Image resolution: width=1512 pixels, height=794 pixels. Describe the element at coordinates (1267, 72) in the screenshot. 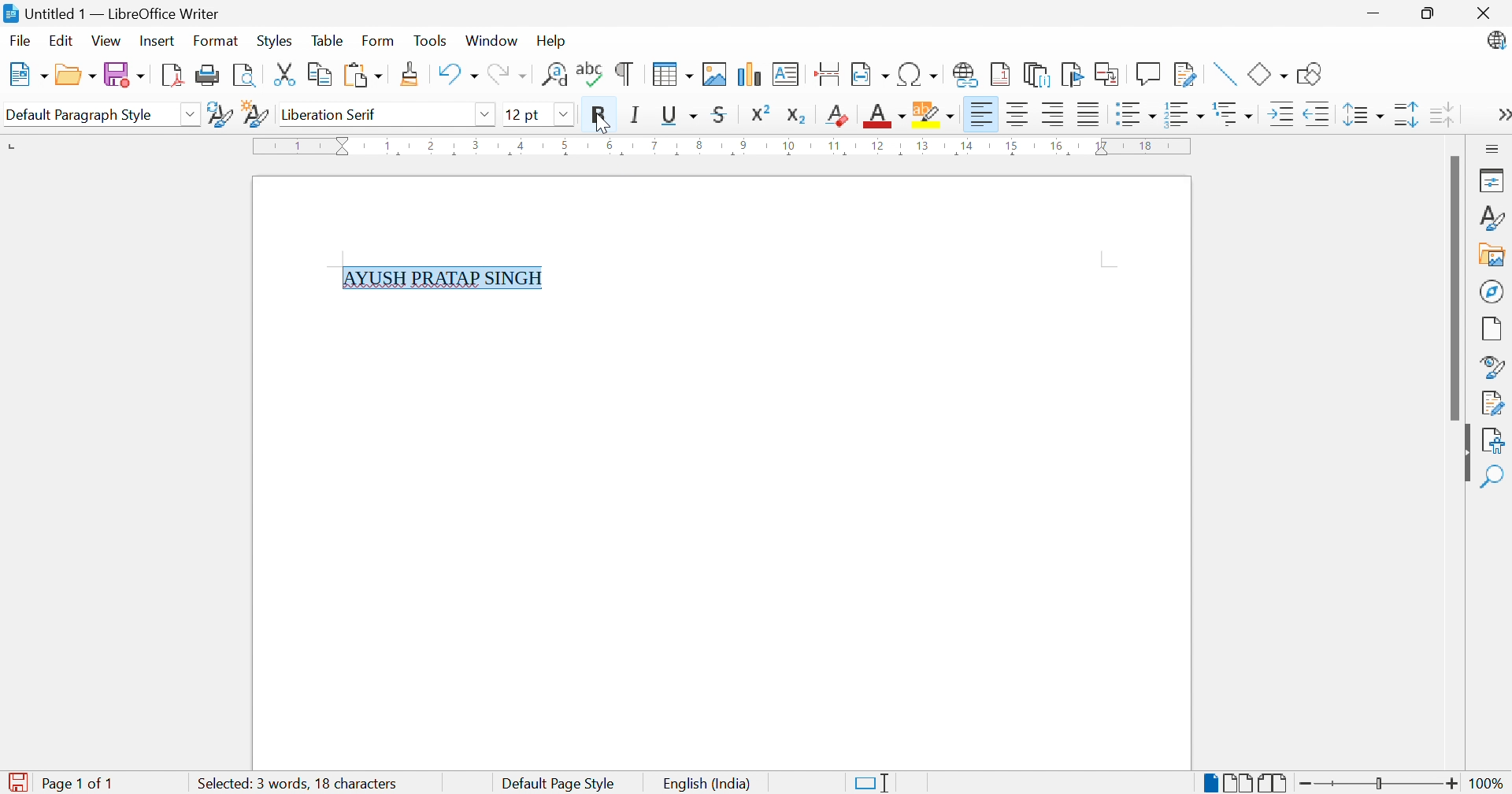

I see `Basic Shapes` at that location.